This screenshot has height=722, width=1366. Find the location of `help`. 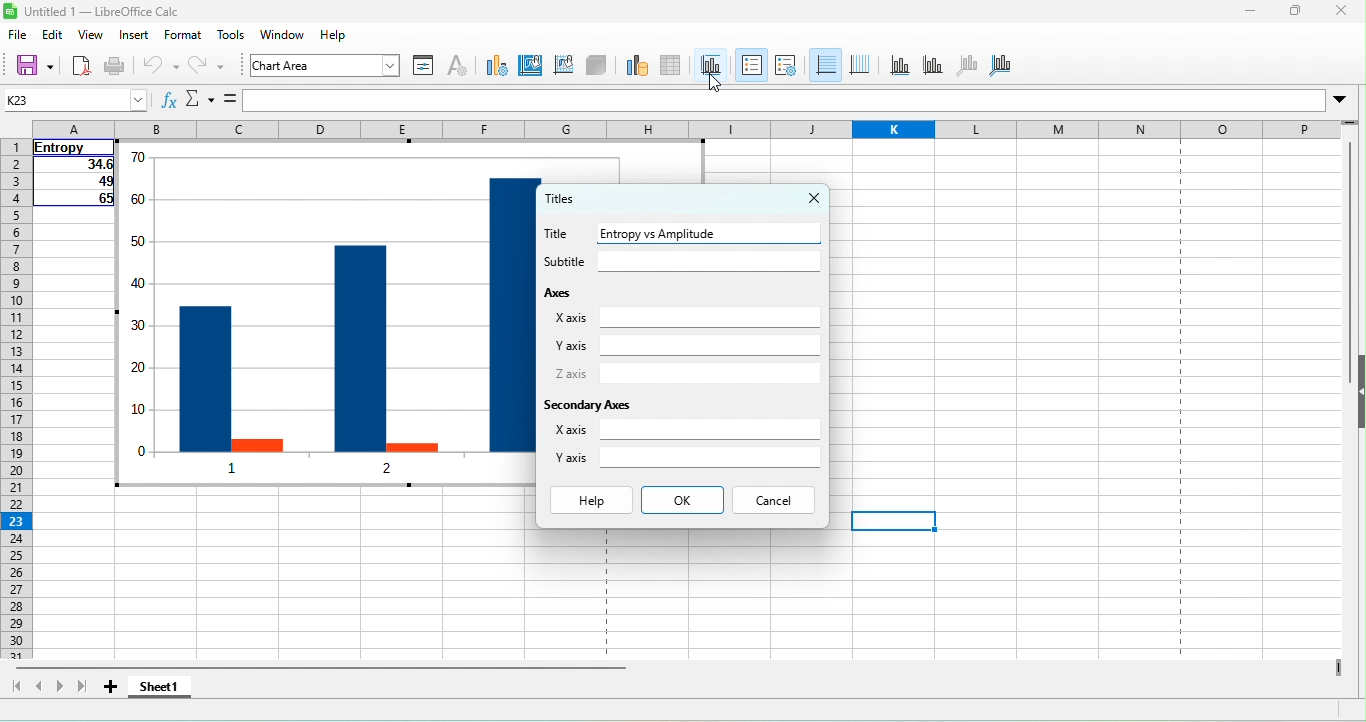

help is located at coordinates (589, 500).